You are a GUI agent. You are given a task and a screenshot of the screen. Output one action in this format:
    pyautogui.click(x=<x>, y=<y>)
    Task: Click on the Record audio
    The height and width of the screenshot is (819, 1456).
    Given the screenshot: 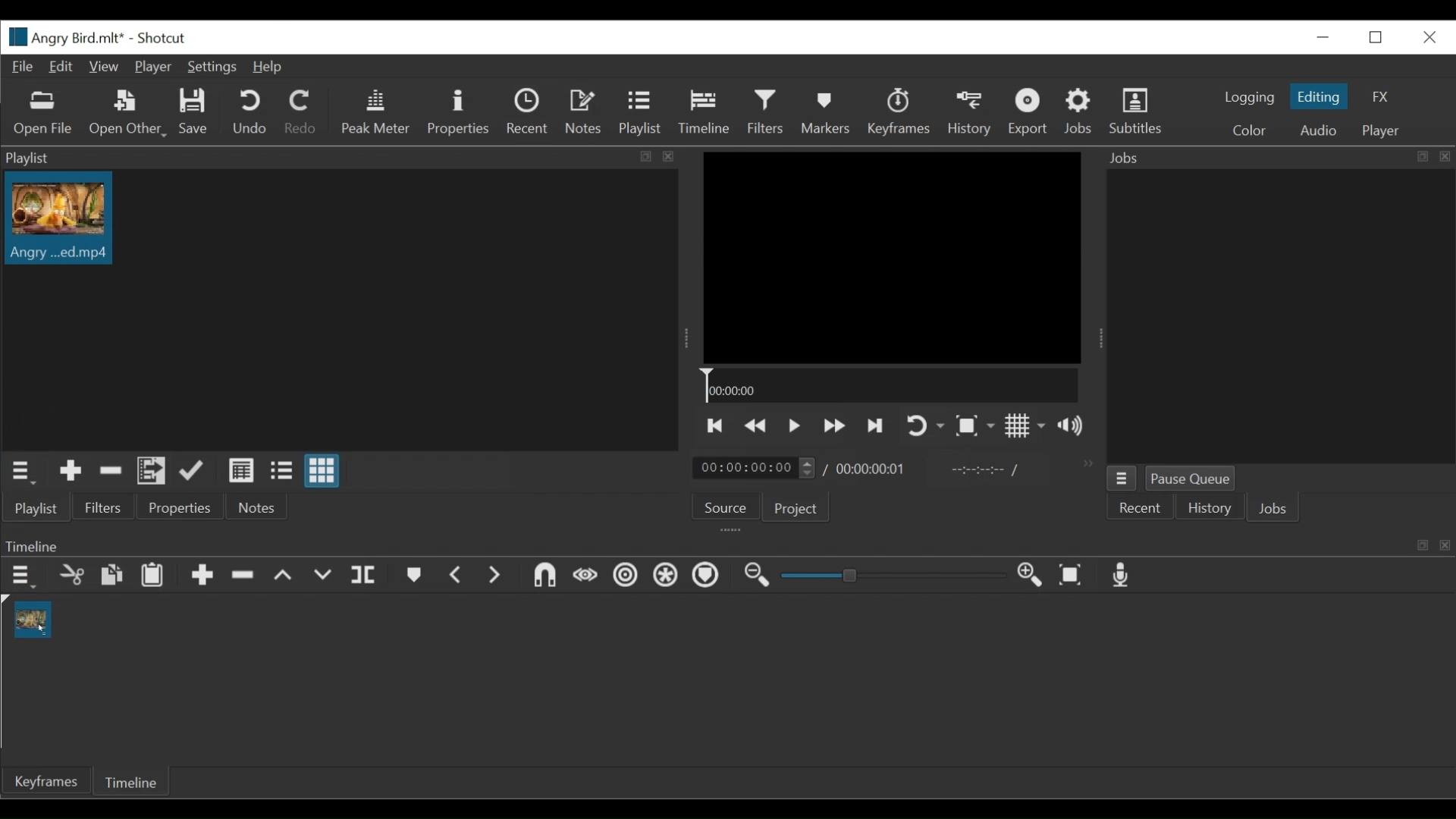 What is the action you would take?
    pyautogui.click(x=1127, y=576)
    